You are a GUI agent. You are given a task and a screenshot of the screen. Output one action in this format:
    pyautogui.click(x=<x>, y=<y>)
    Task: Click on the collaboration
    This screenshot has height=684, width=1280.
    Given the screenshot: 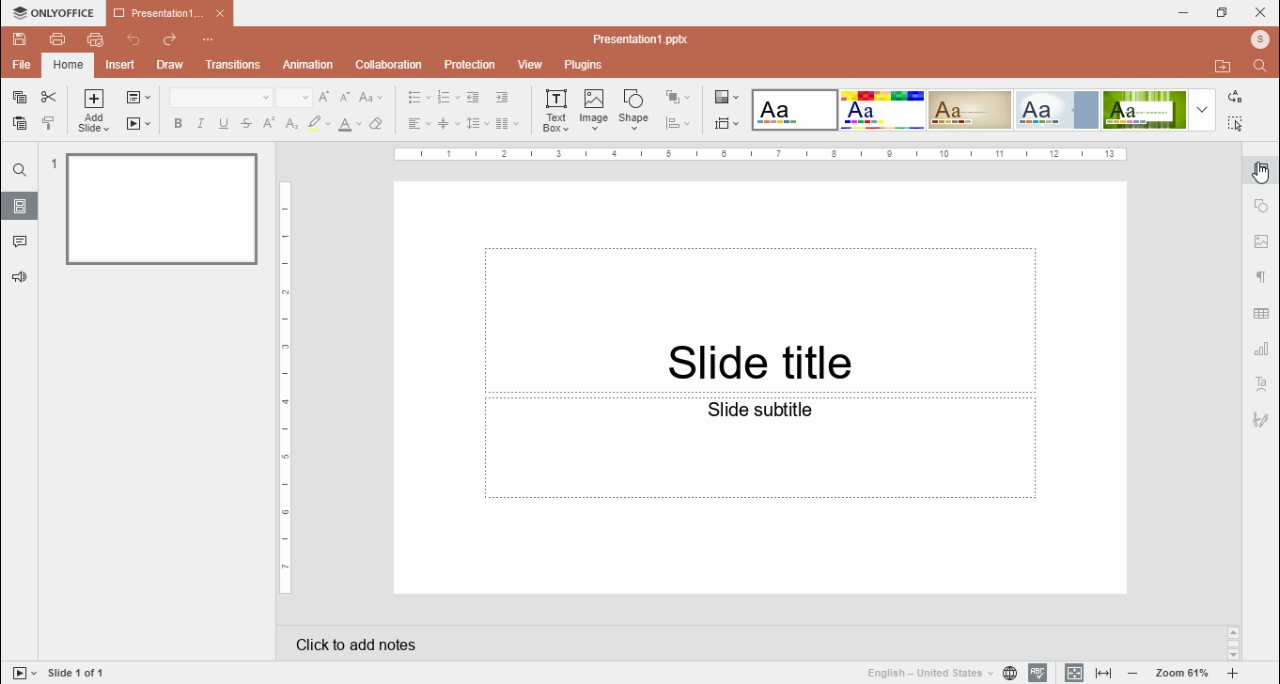 What is the action you would take?
    pyautogui.click(x=389, y=64)
    